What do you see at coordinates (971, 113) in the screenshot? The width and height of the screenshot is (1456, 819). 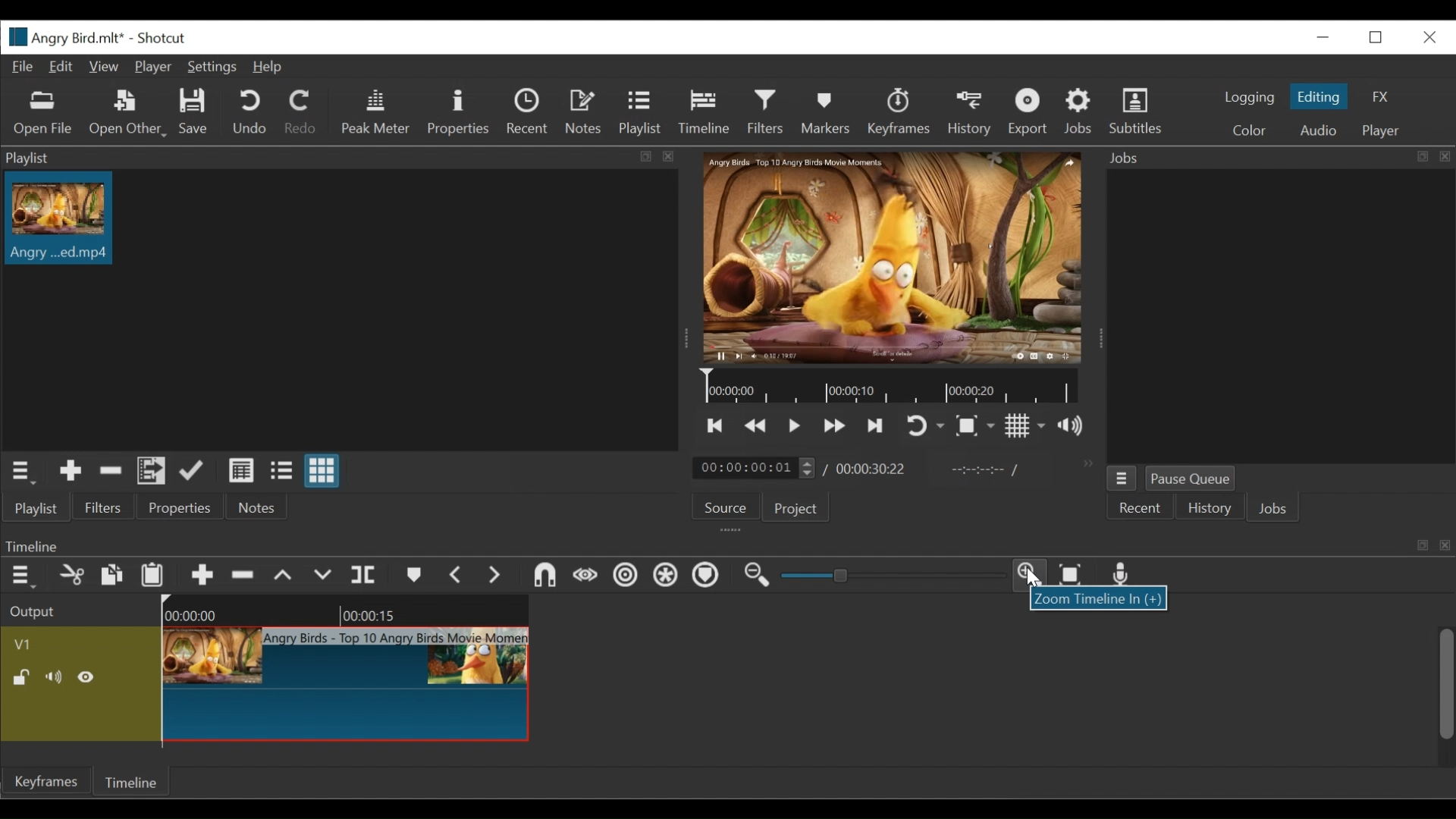 I see `History` at bounding box center [971, 113].